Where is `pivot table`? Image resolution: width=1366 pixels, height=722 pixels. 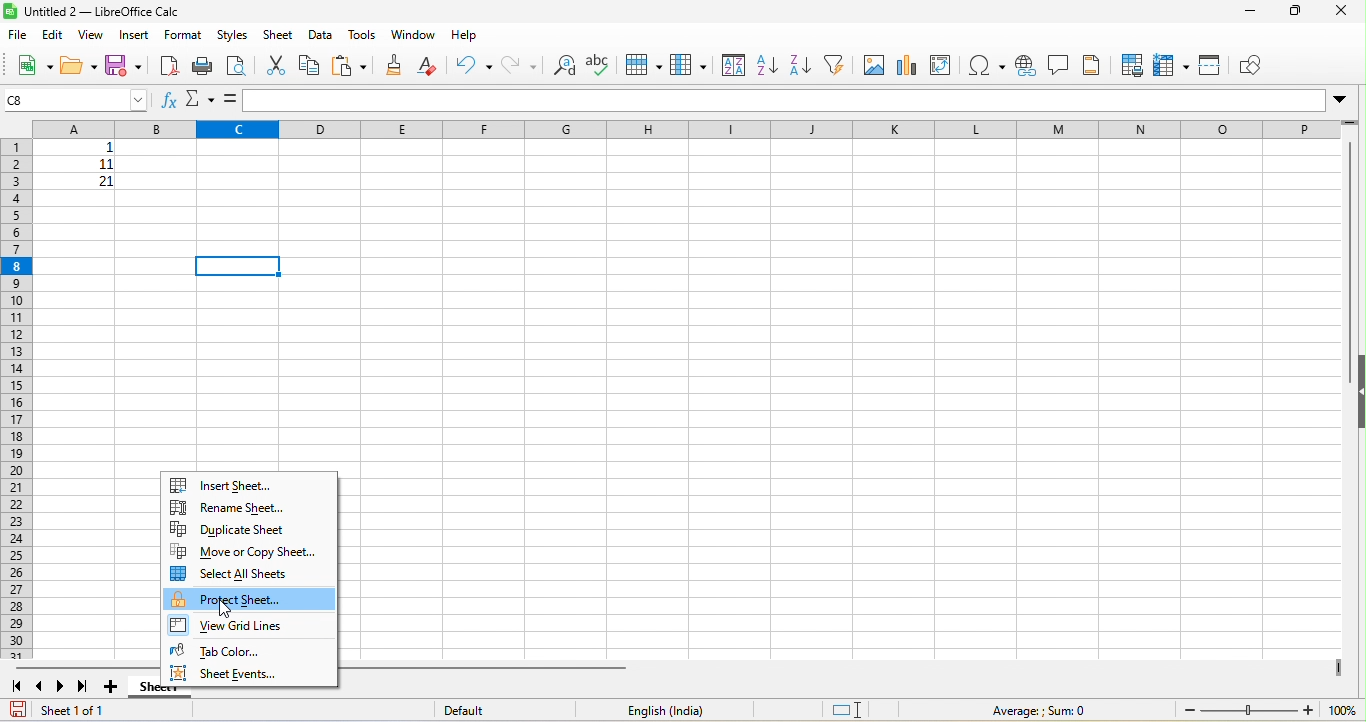
pivot table is located at coordinates (942, 64).